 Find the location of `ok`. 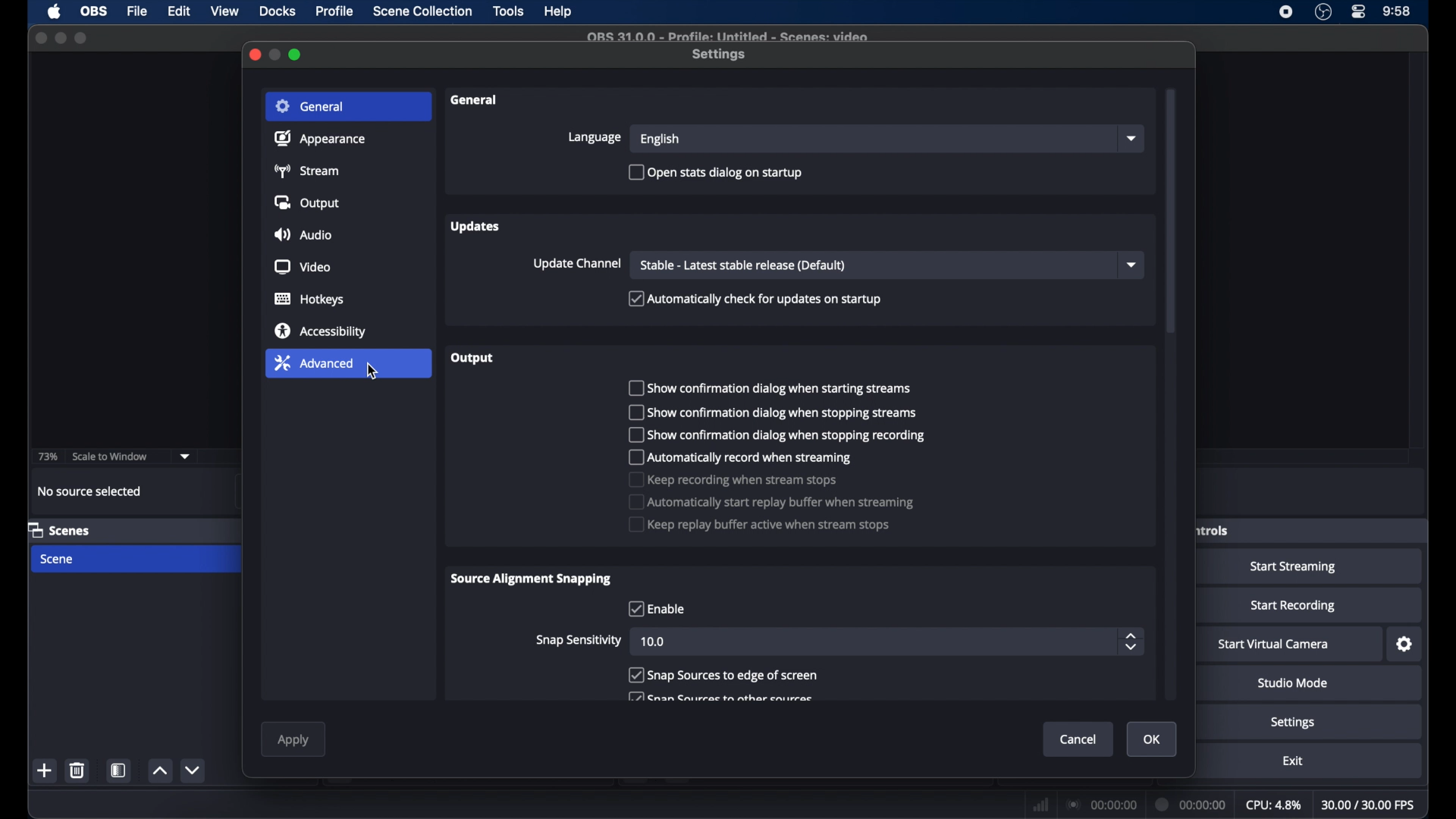

ok is located at coordinates (1152, 739).